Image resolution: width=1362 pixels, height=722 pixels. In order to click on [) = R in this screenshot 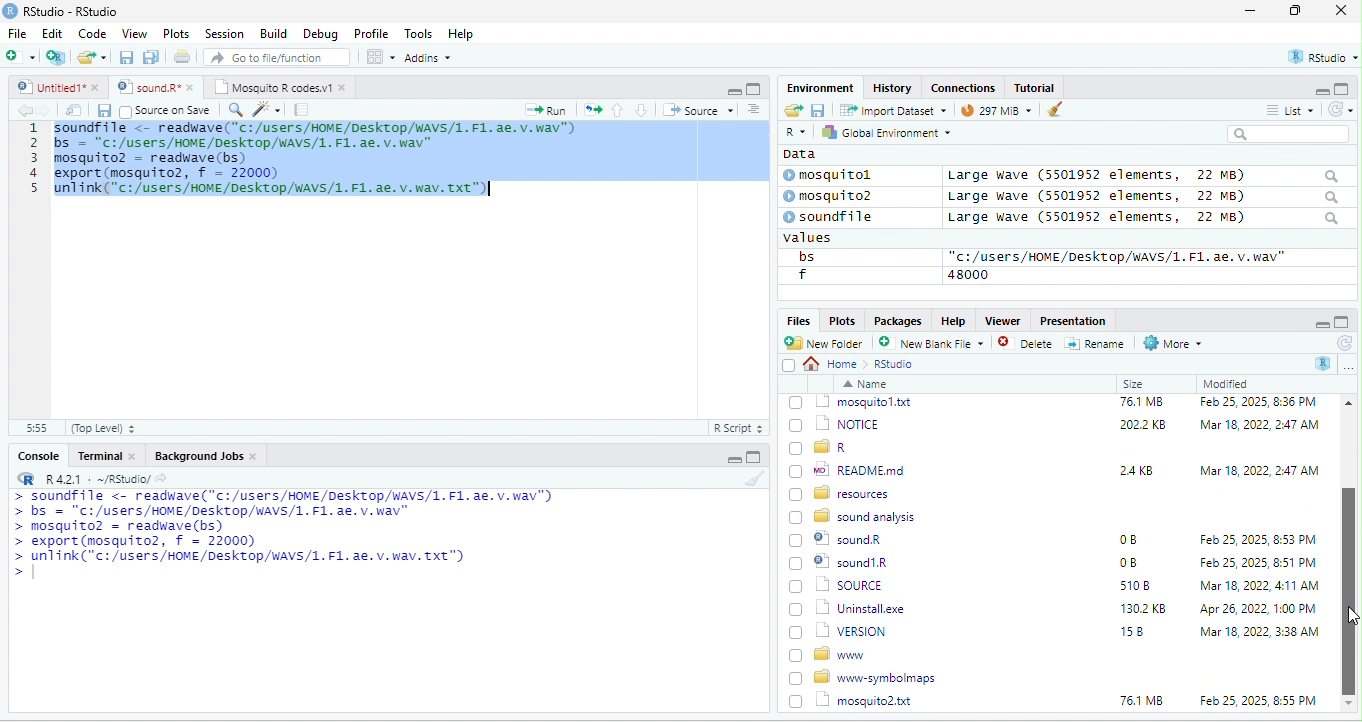, I will do `click(830, 567)`.